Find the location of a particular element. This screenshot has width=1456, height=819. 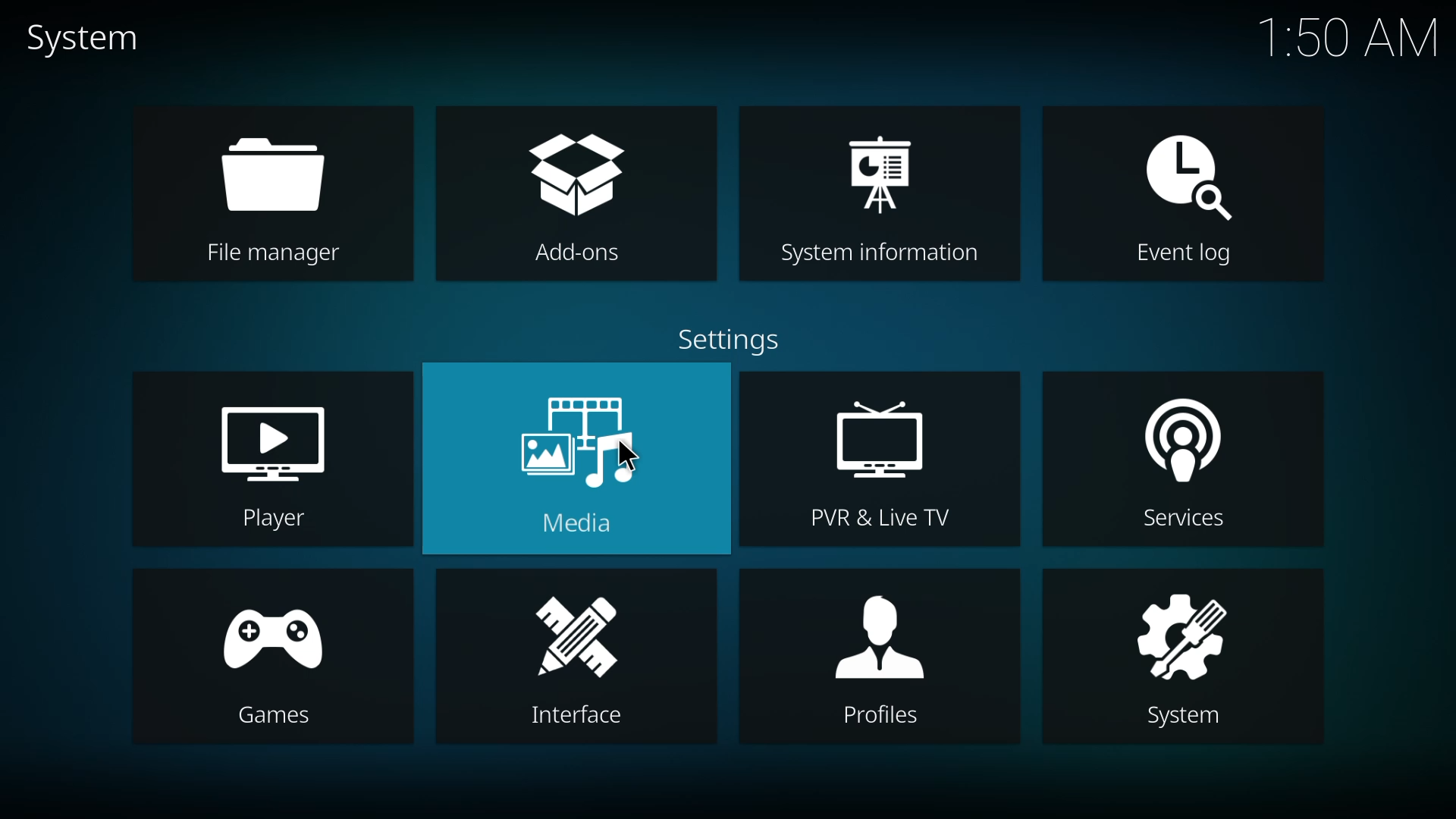

system is located at coordinates (84, 39).